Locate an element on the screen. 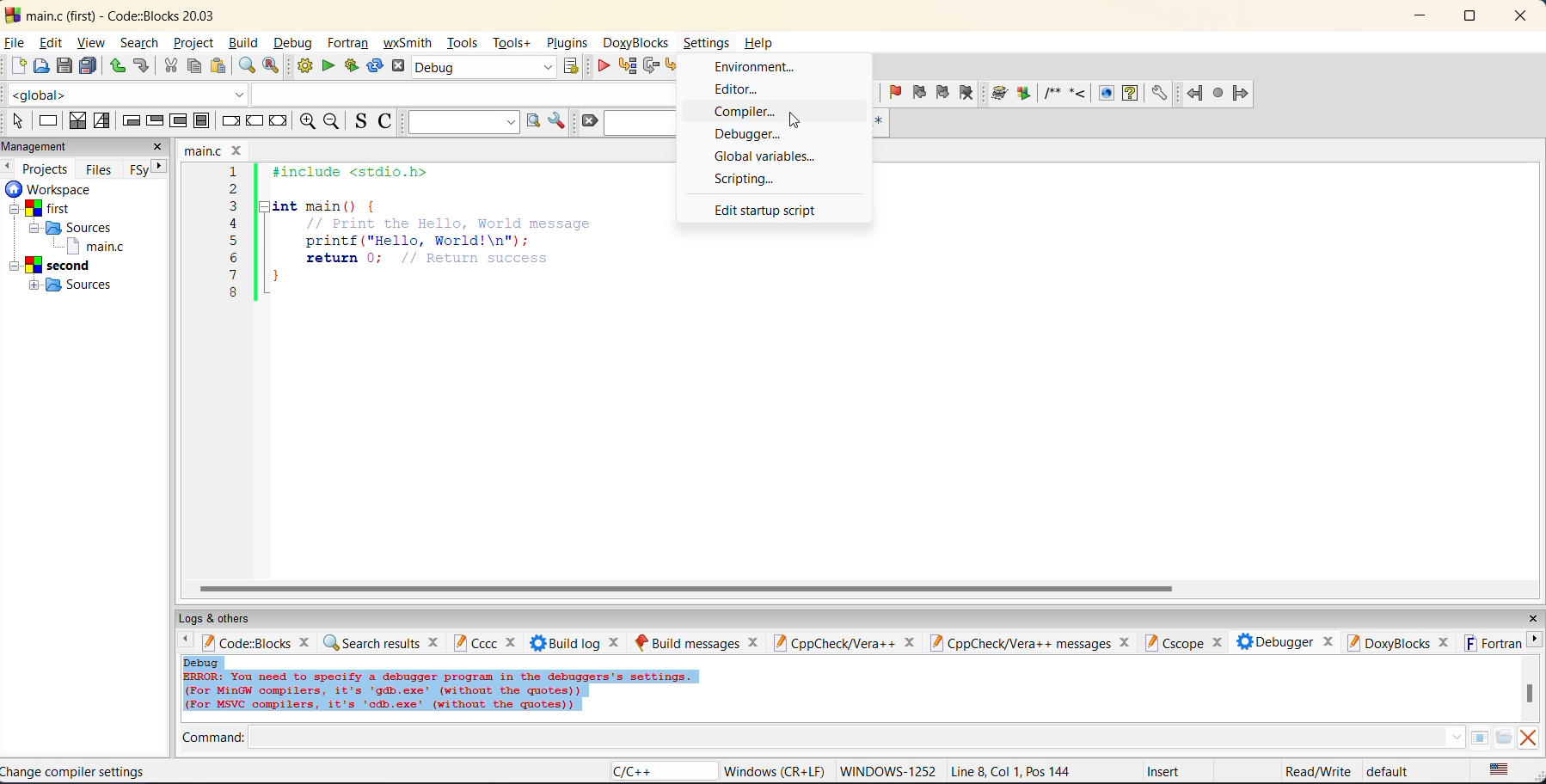 The height and width of the screenshot is (784, 1546). main.c is located at coordinates (216, 149).